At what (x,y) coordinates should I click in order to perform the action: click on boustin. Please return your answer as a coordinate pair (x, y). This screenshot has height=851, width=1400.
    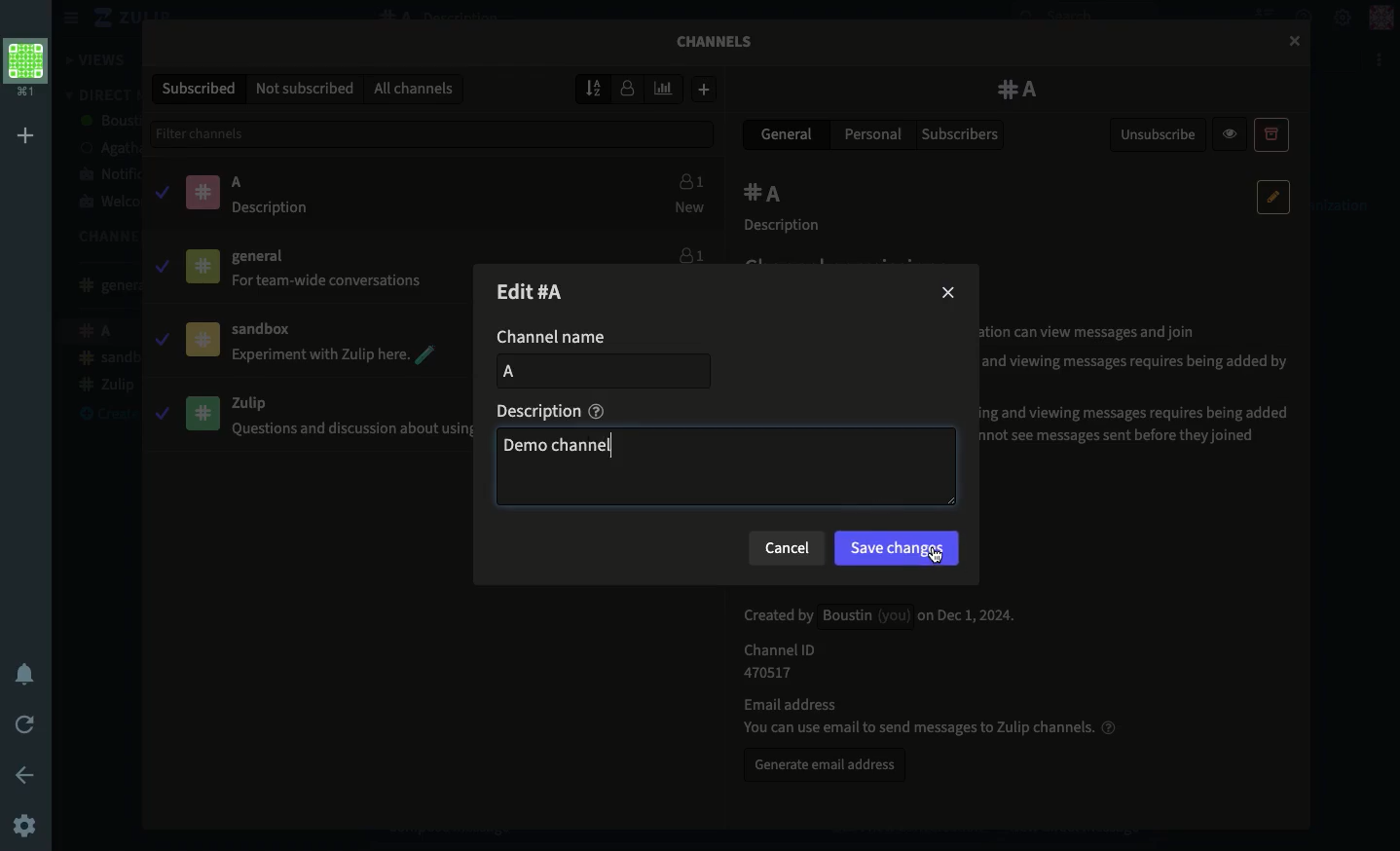
    Looking at the image, I should click on (109, 122).